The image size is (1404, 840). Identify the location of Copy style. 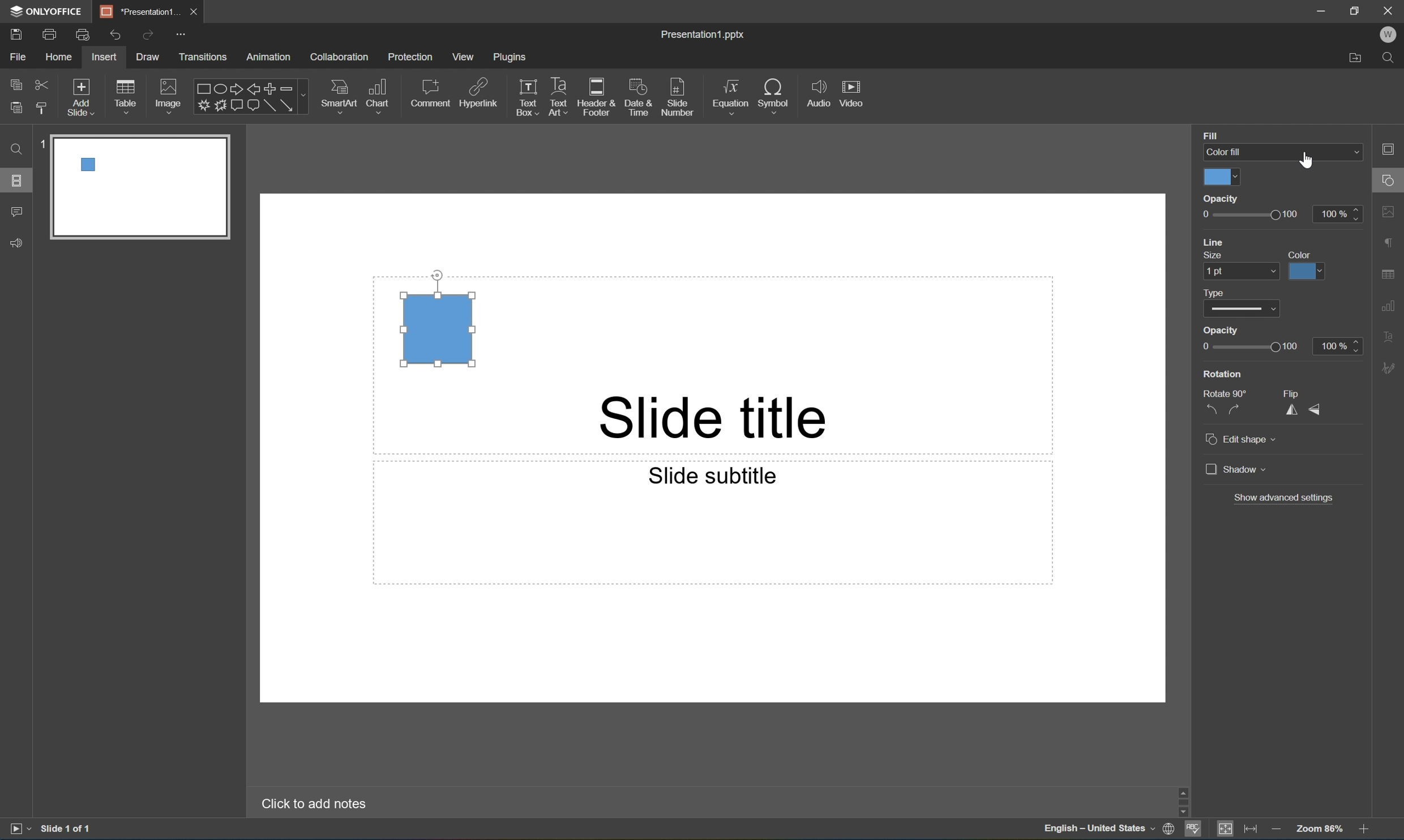
(43, 109).